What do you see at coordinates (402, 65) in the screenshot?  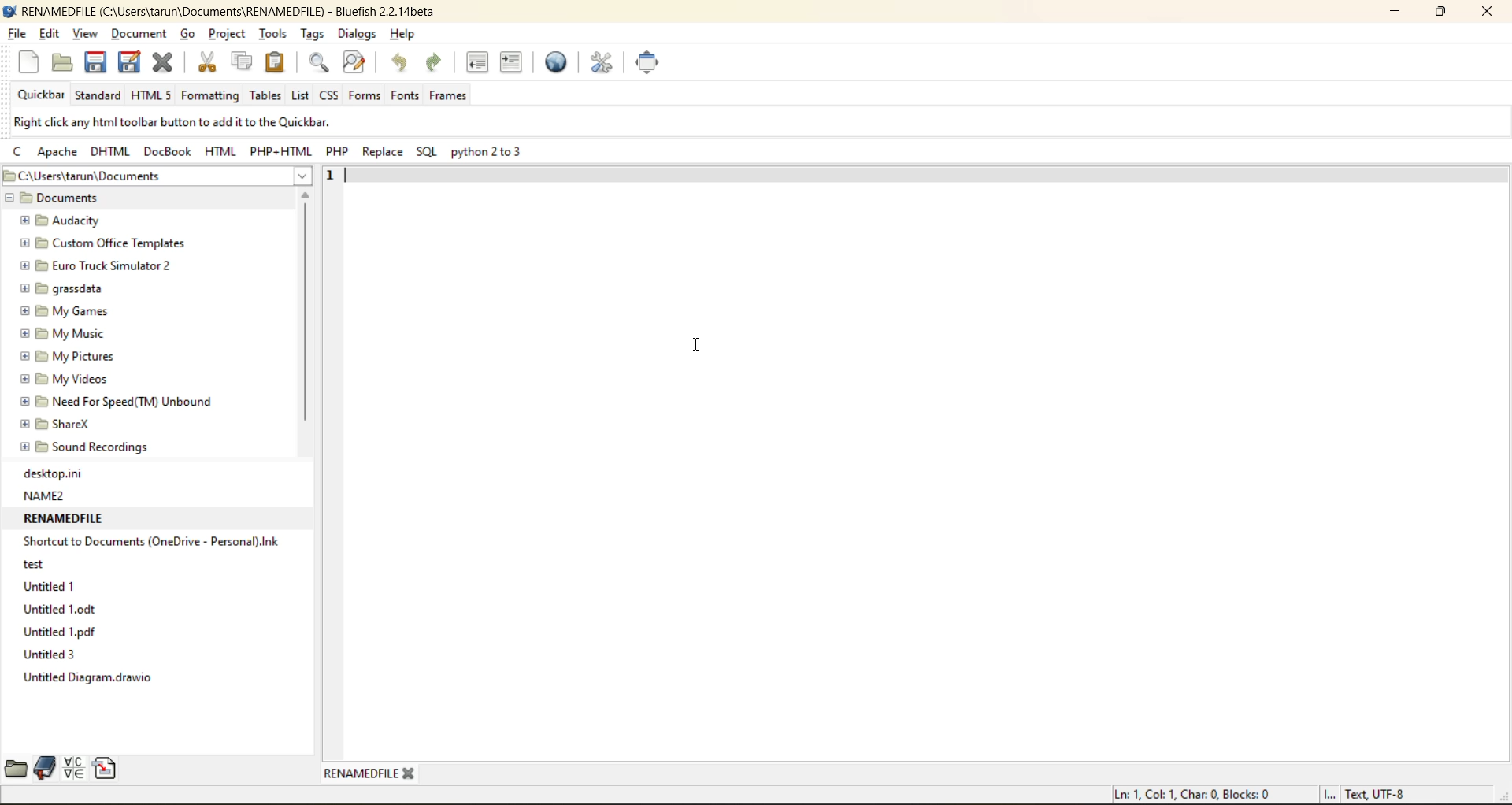 I see `undo` at bounding box center [402, 65].